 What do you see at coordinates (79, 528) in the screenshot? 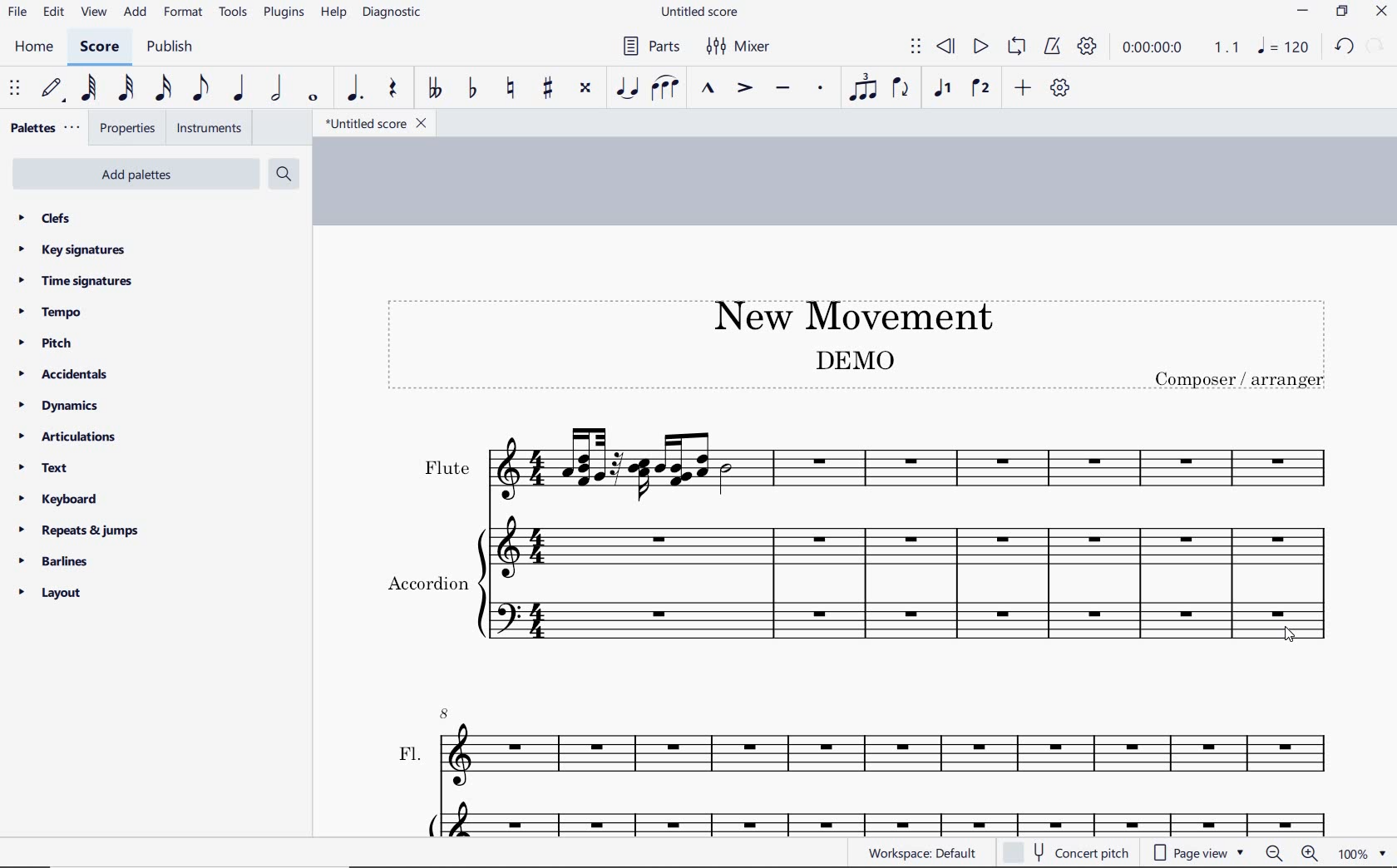
I see `repeats & jumps` at bounding box center [79, 528].